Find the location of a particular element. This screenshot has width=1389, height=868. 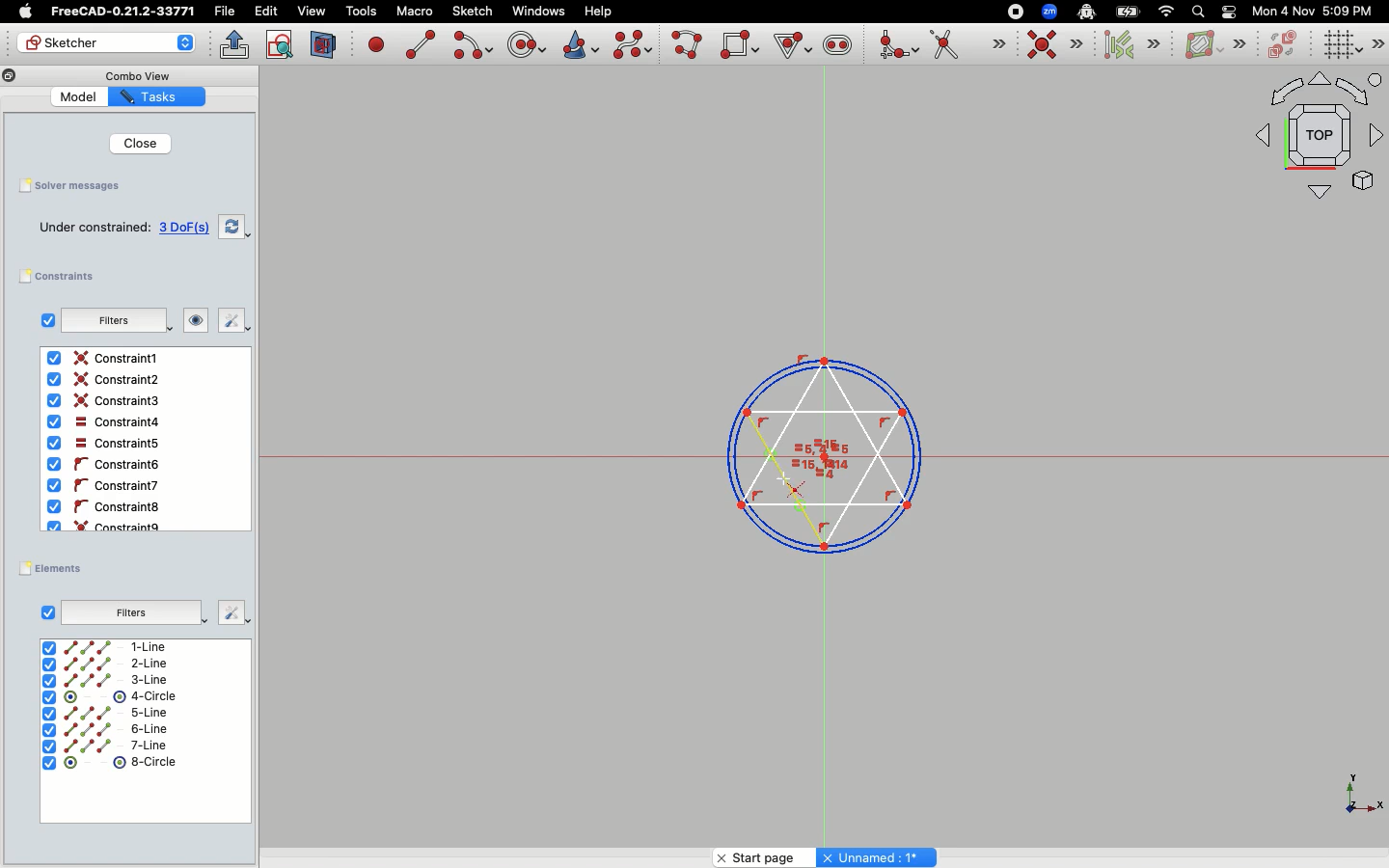

Constraint8 is located at coordinates (106, 507).